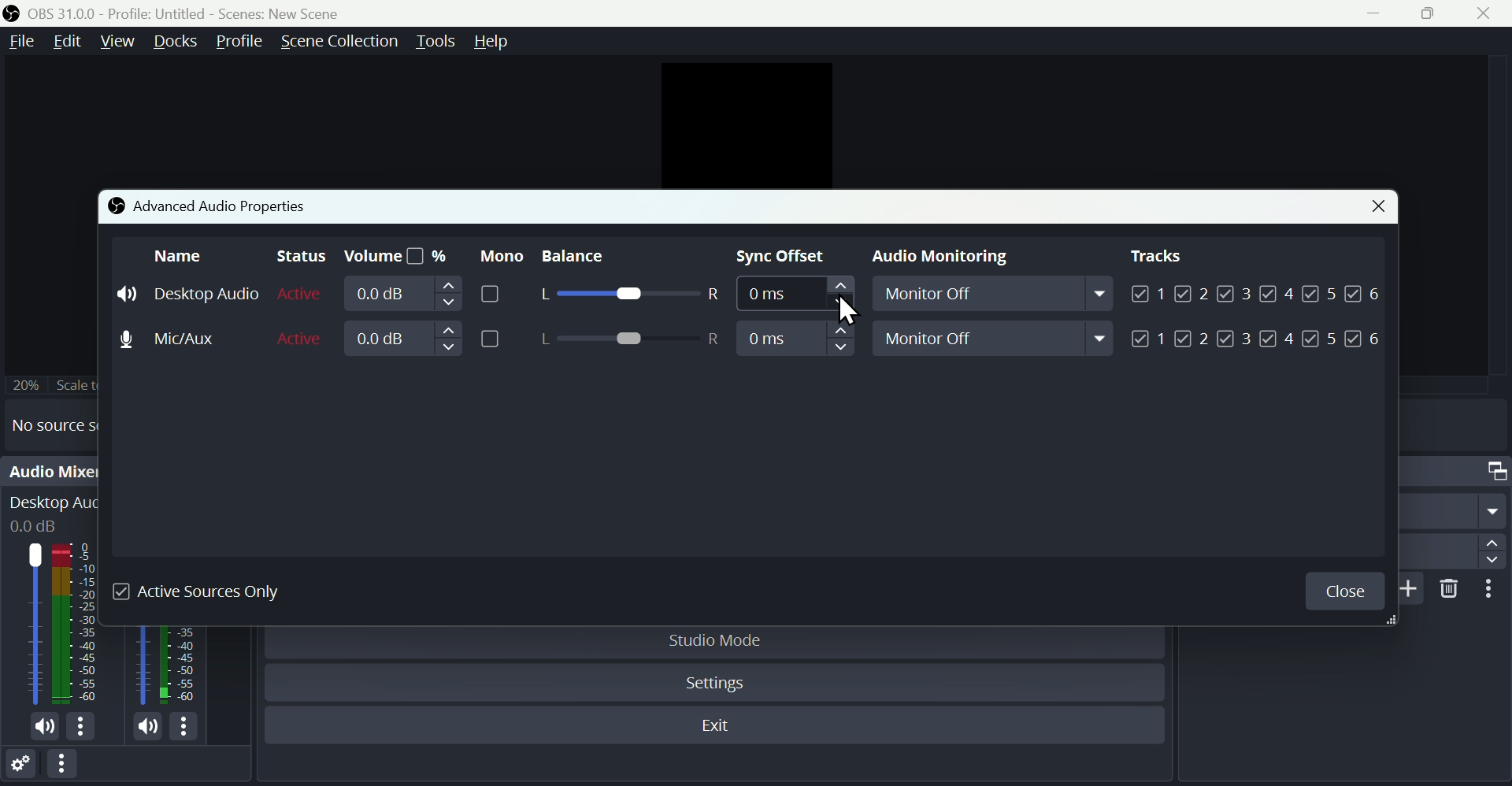 The image size is (1512, 786). I want to click on Close, so click(1373, 208).